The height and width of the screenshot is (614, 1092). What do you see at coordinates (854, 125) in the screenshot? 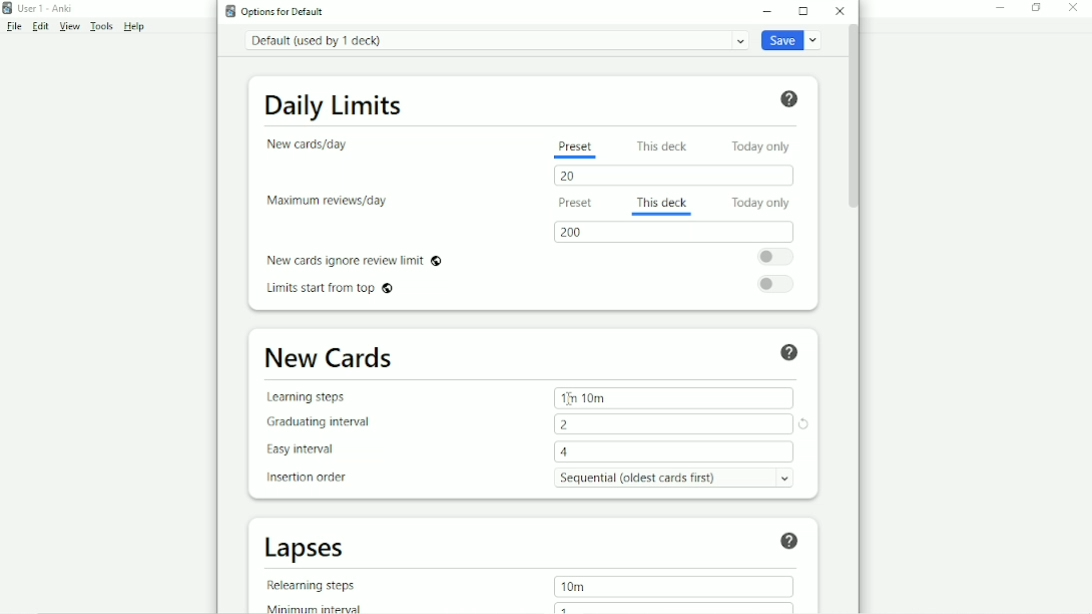
I see `Vertical scrollbar` at bounding box center [854, 125].